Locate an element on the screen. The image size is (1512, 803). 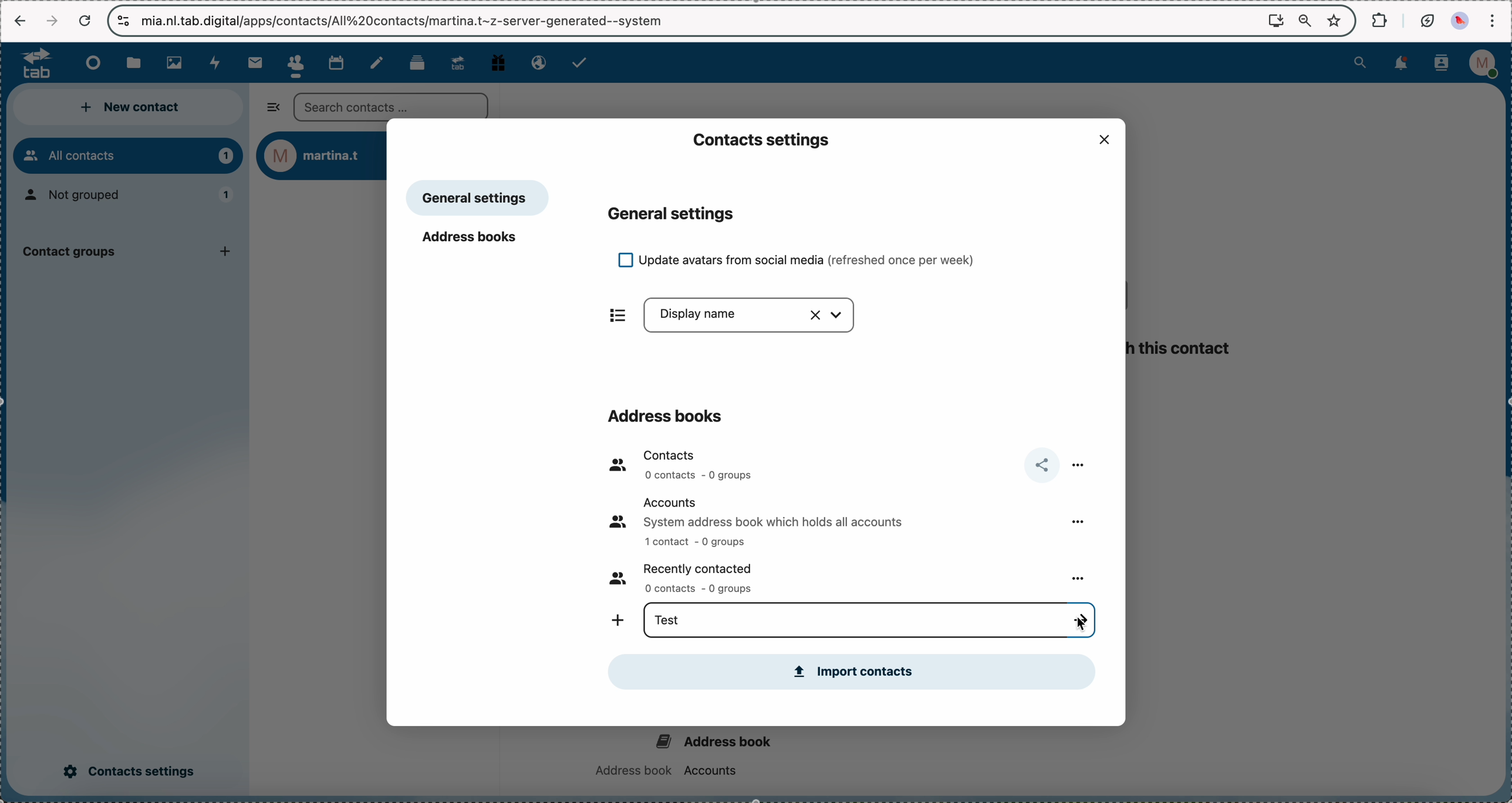
navigate back is located at coordinates (18, 19).